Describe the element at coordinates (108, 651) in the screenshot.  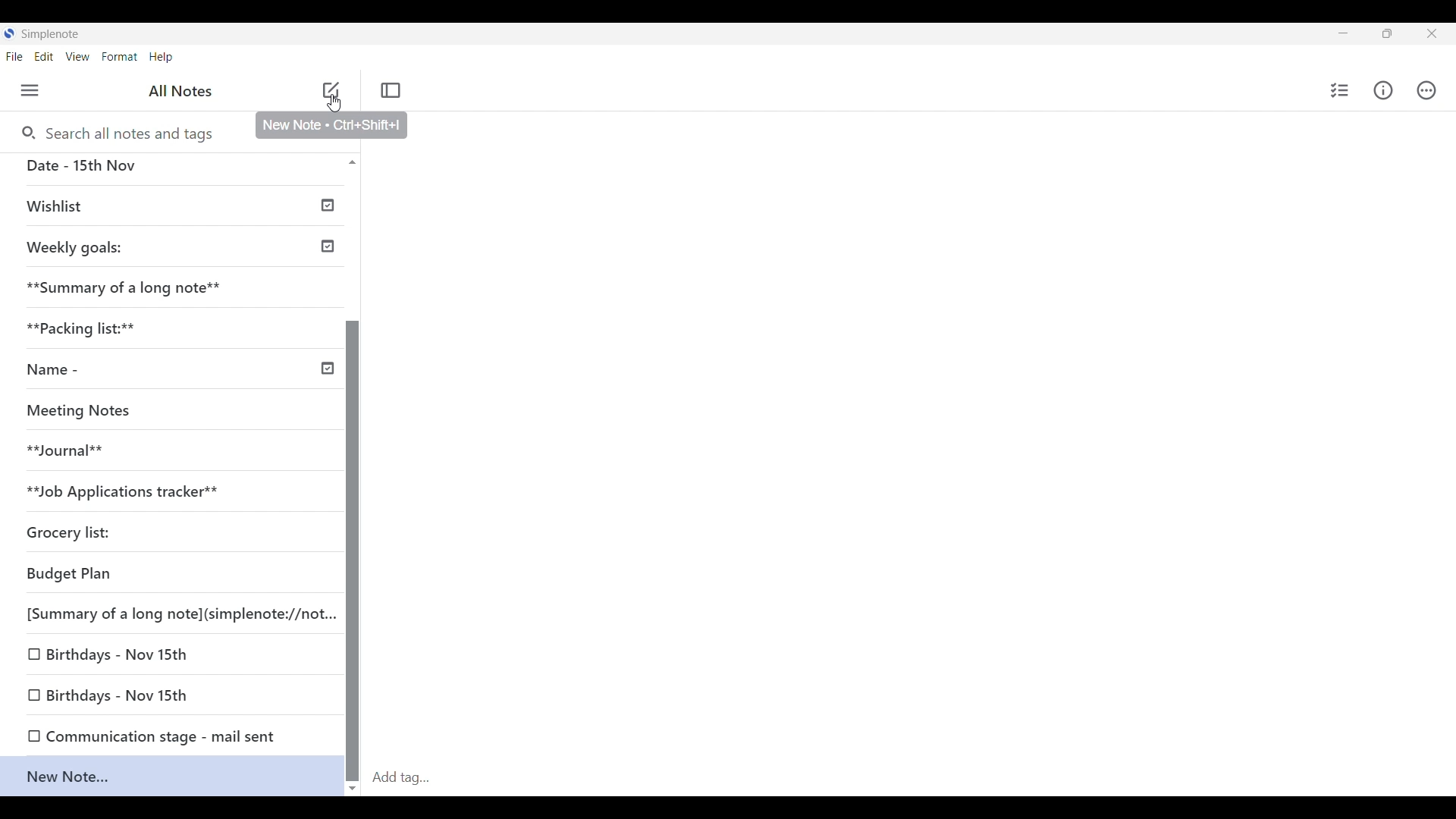
I see `O Birthdays - Nov 15th` at that location.